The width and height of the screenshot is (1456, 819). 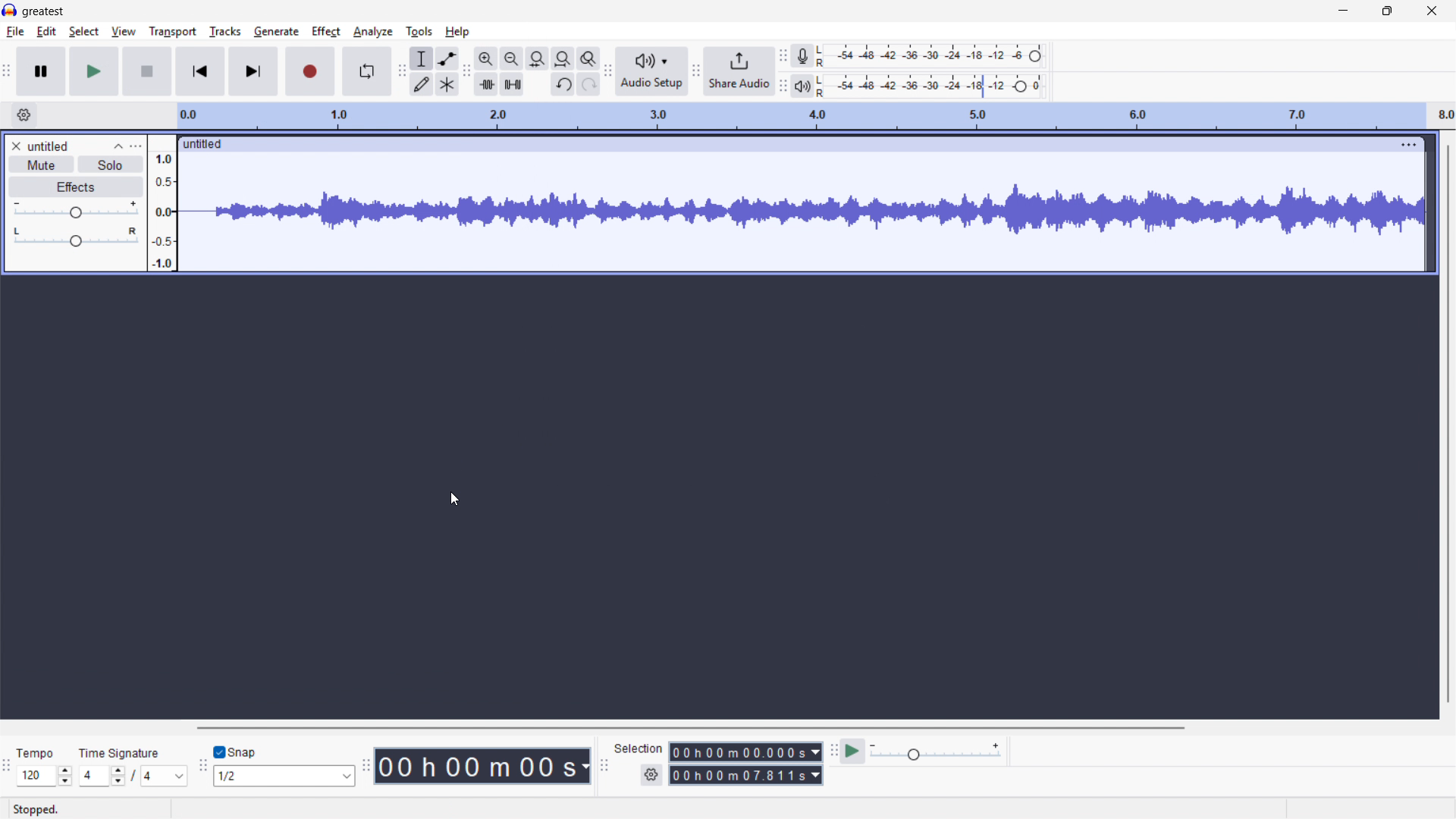 I want to click on playback speed, so click(x=935, y=752).